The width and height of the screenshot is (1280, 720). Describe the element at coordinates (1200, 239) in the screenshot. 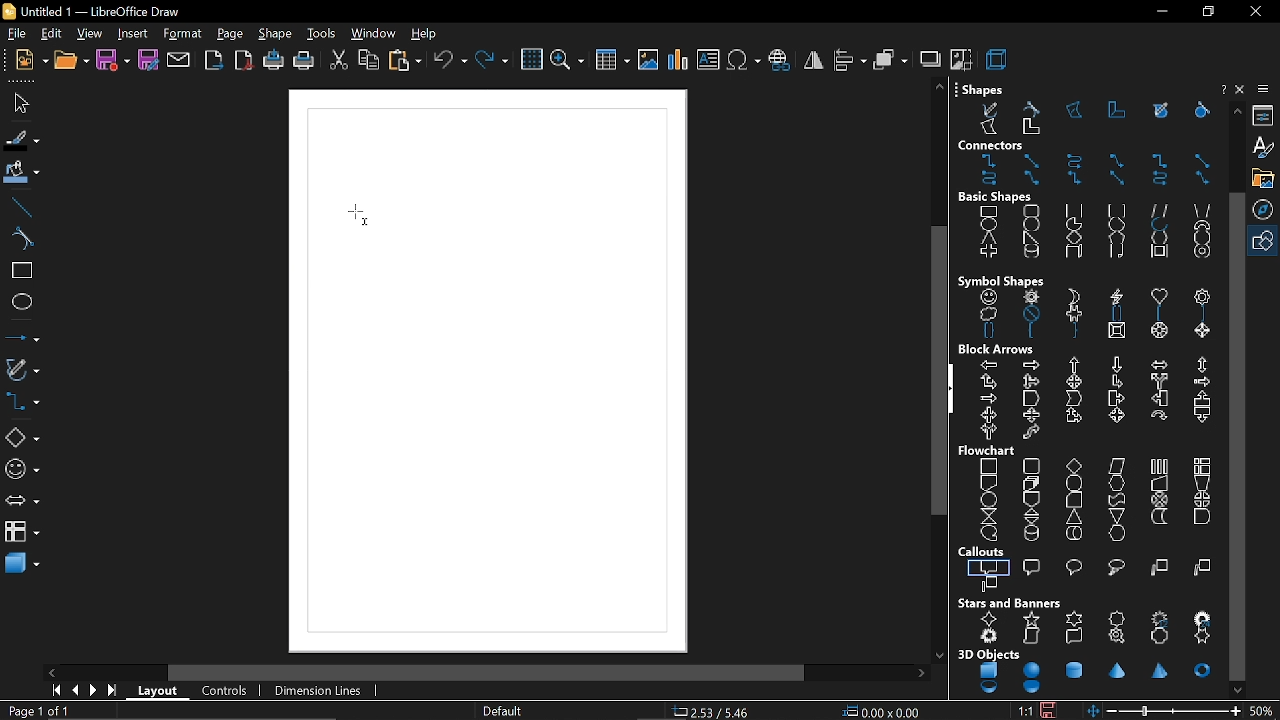

I see `octagon` at that location.